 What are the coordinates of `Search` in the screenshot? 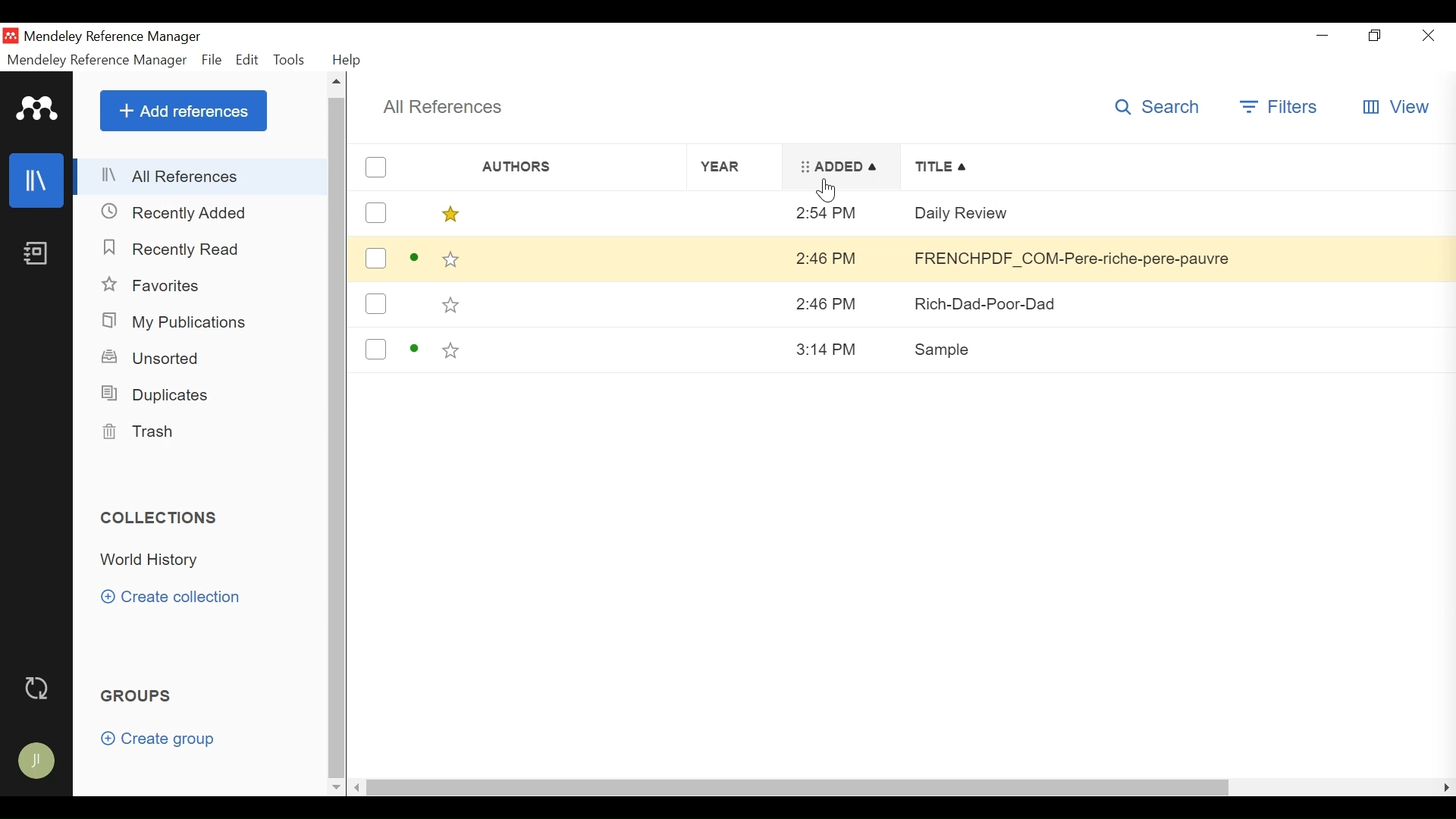 It's located at (1157, 106).